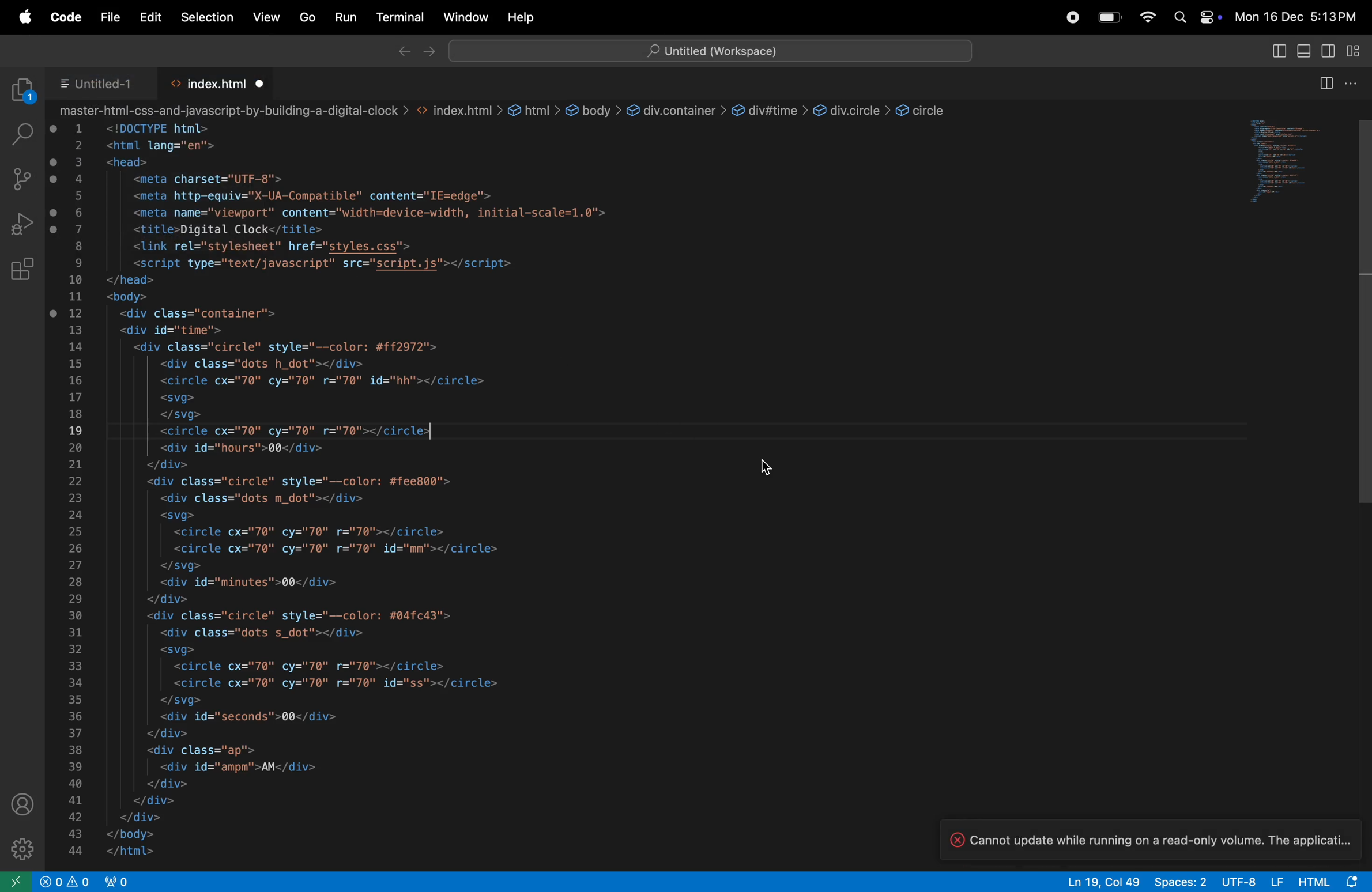  What do you see at coordinates (178, 398) in the screenshot?
I see `| <svg>` at bounding box center [178, 398].